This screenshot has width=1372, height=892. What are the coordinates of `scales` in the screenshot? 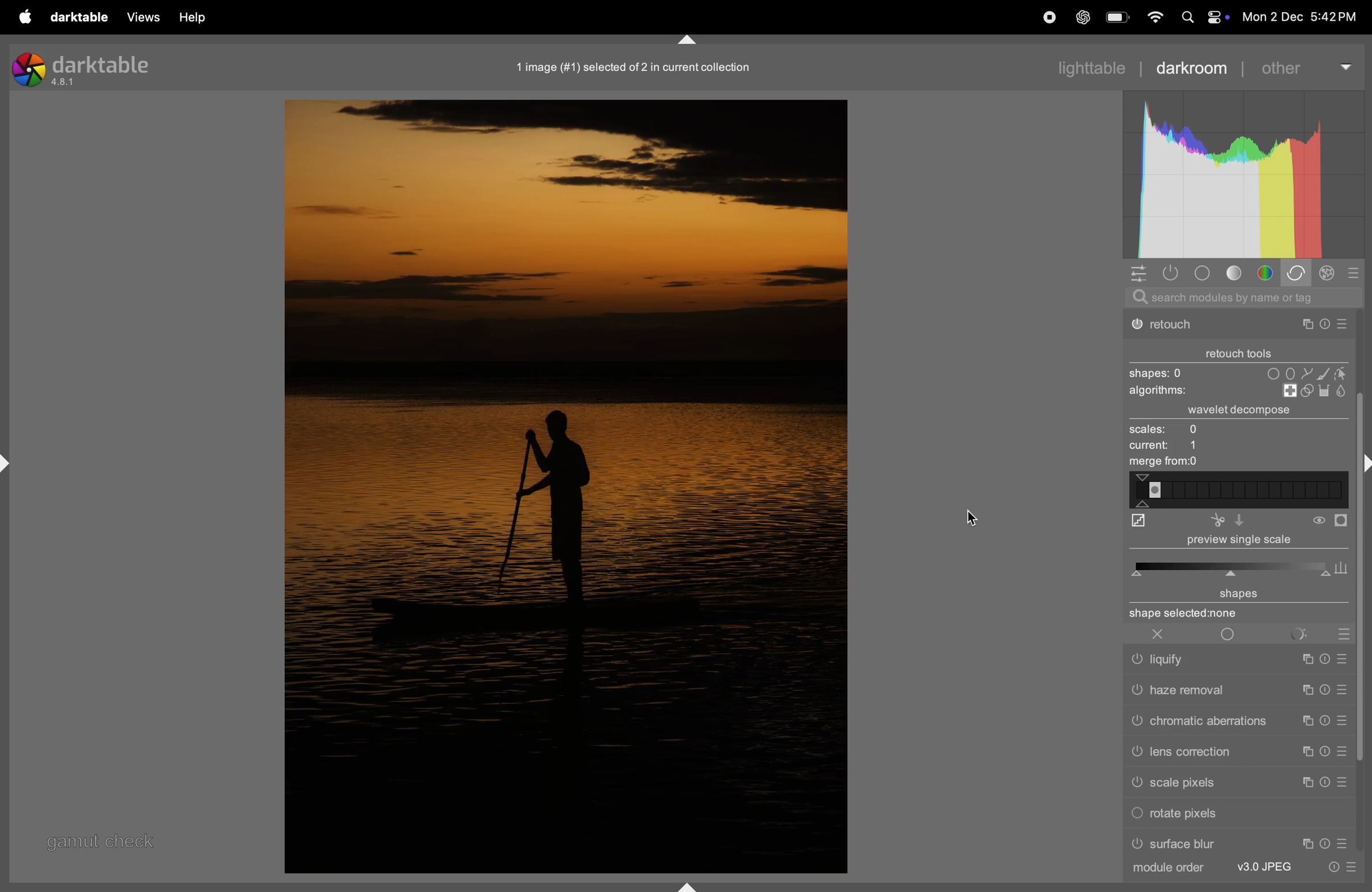 It's located at (1185, 430).